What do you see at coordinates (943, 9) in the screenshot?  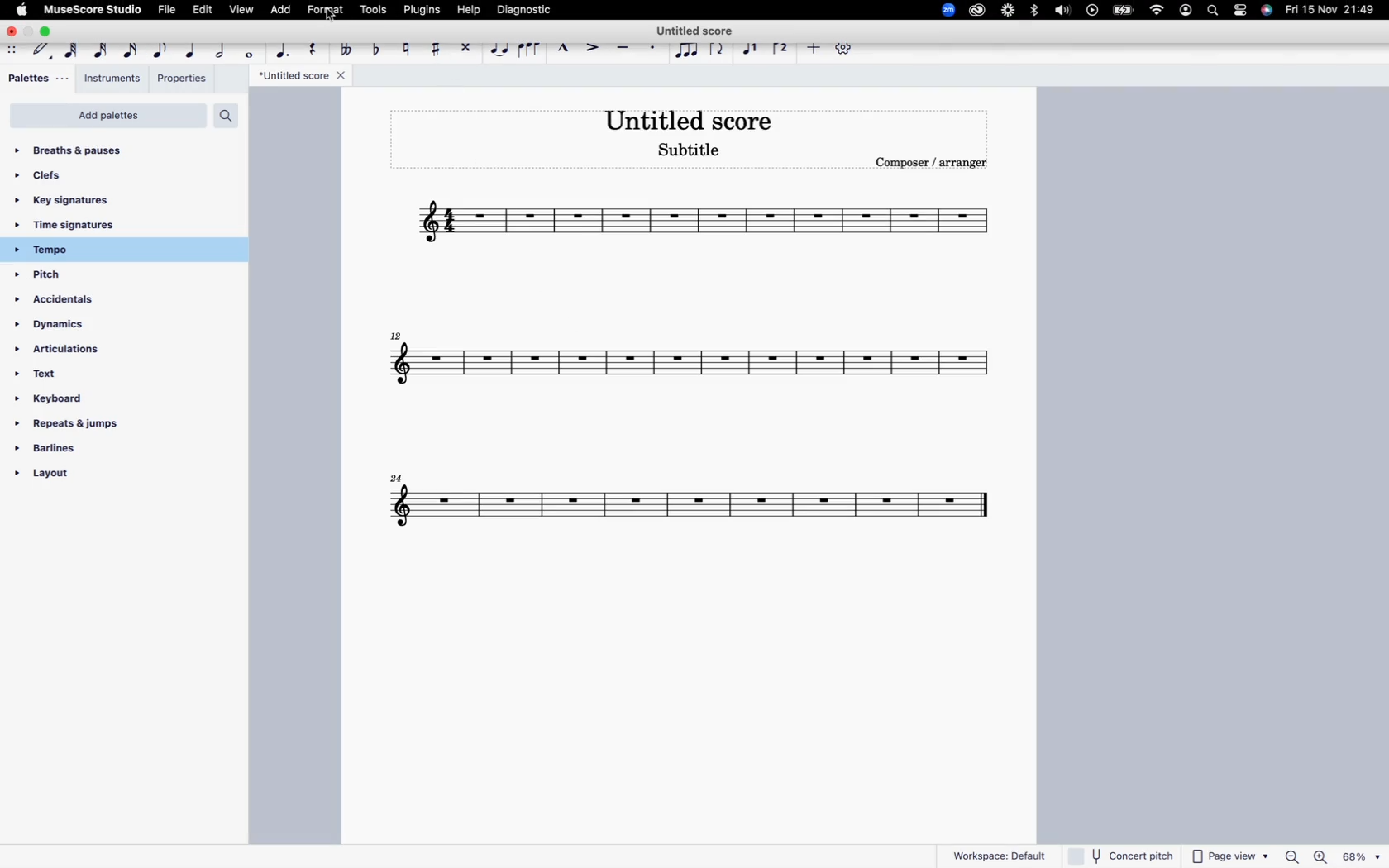 I see `zoom` at bounding box center [943, 9].